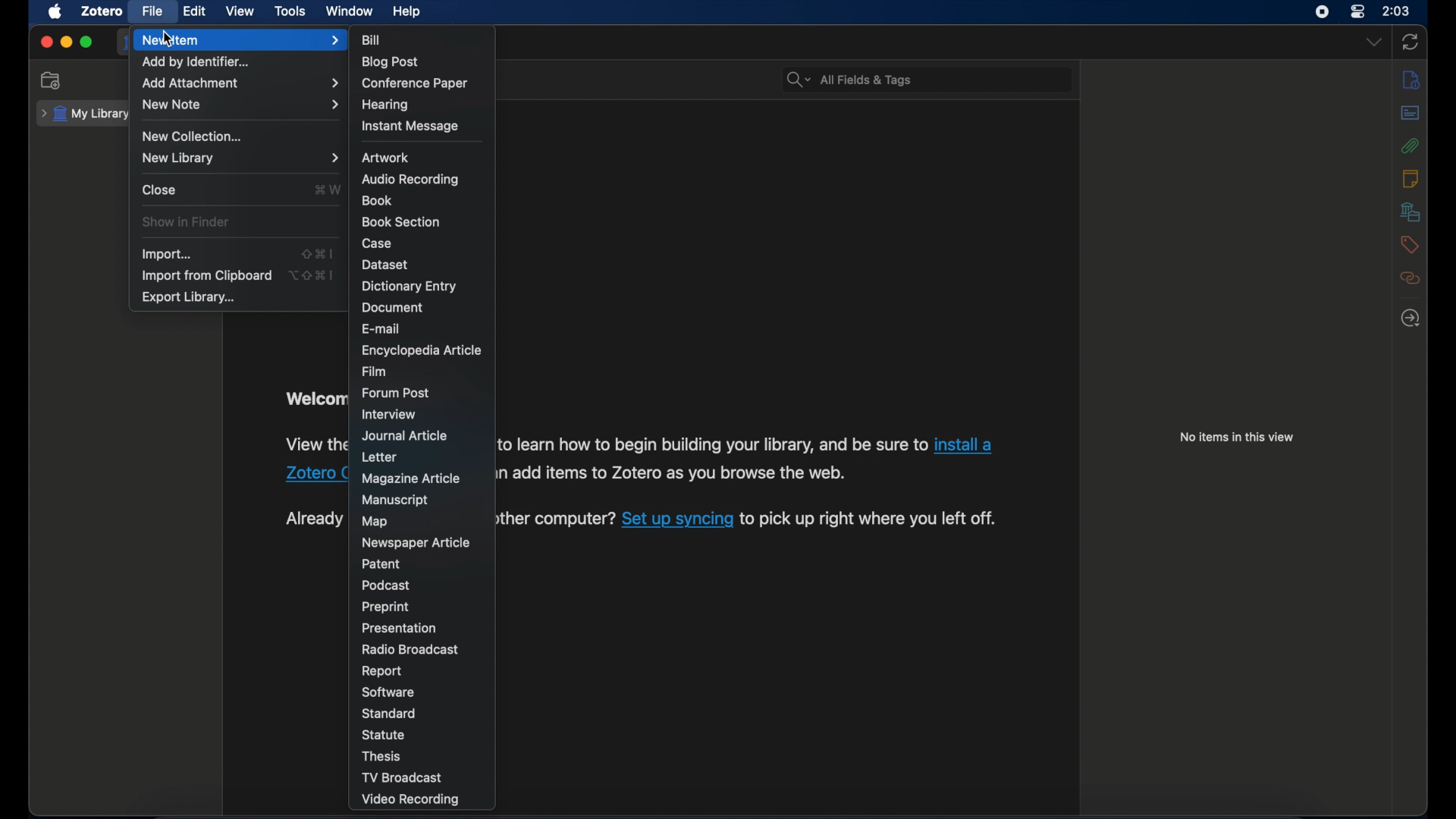 This screenshot has width=1456, height=819. Describe the element at coordinates (386, 265) in the screenshot. I see `dataset` at that location.